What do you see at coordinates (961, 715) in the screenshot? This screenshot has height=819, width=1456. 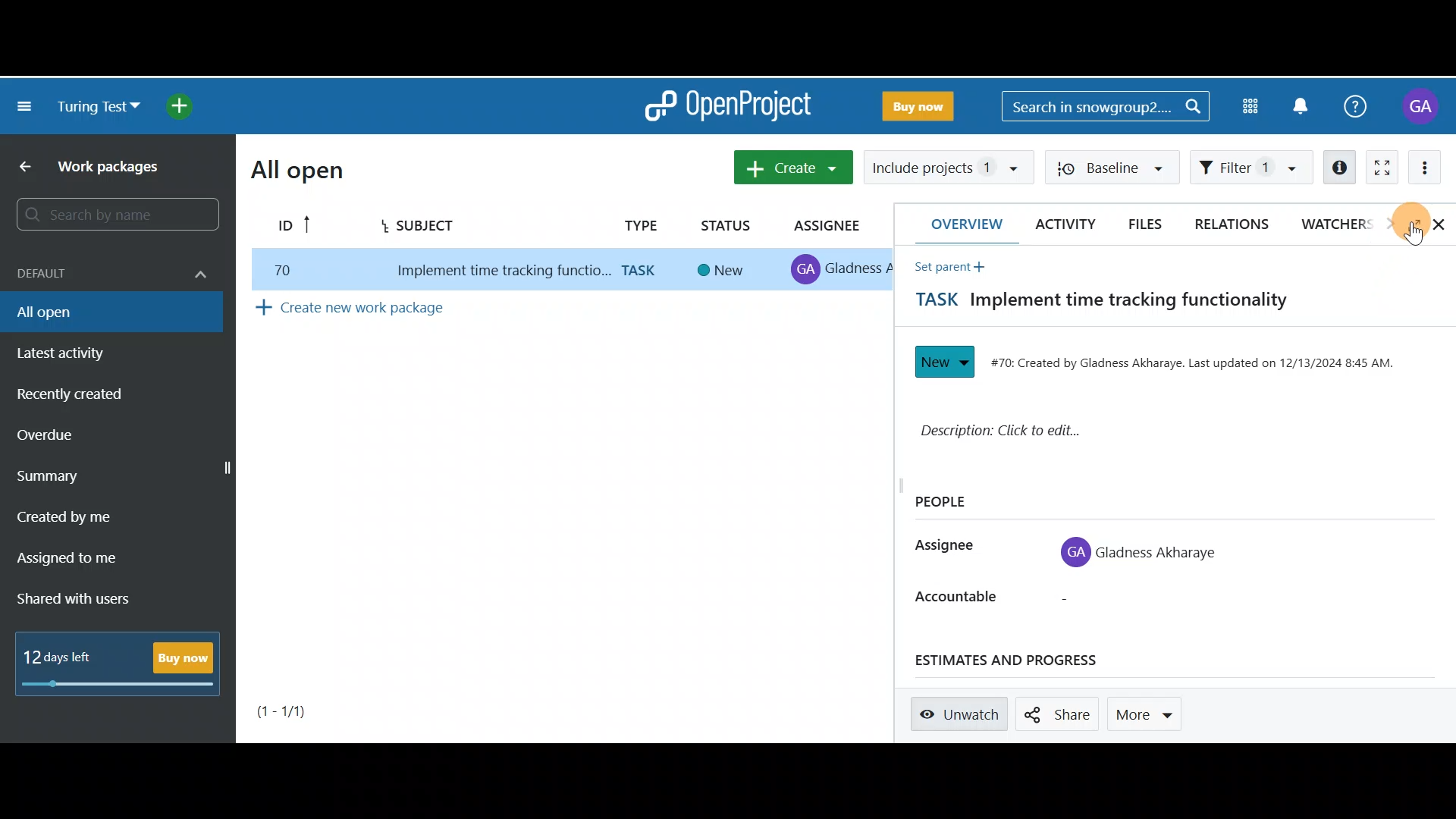 I see `Unwatch` at bounding box center [961, 715].